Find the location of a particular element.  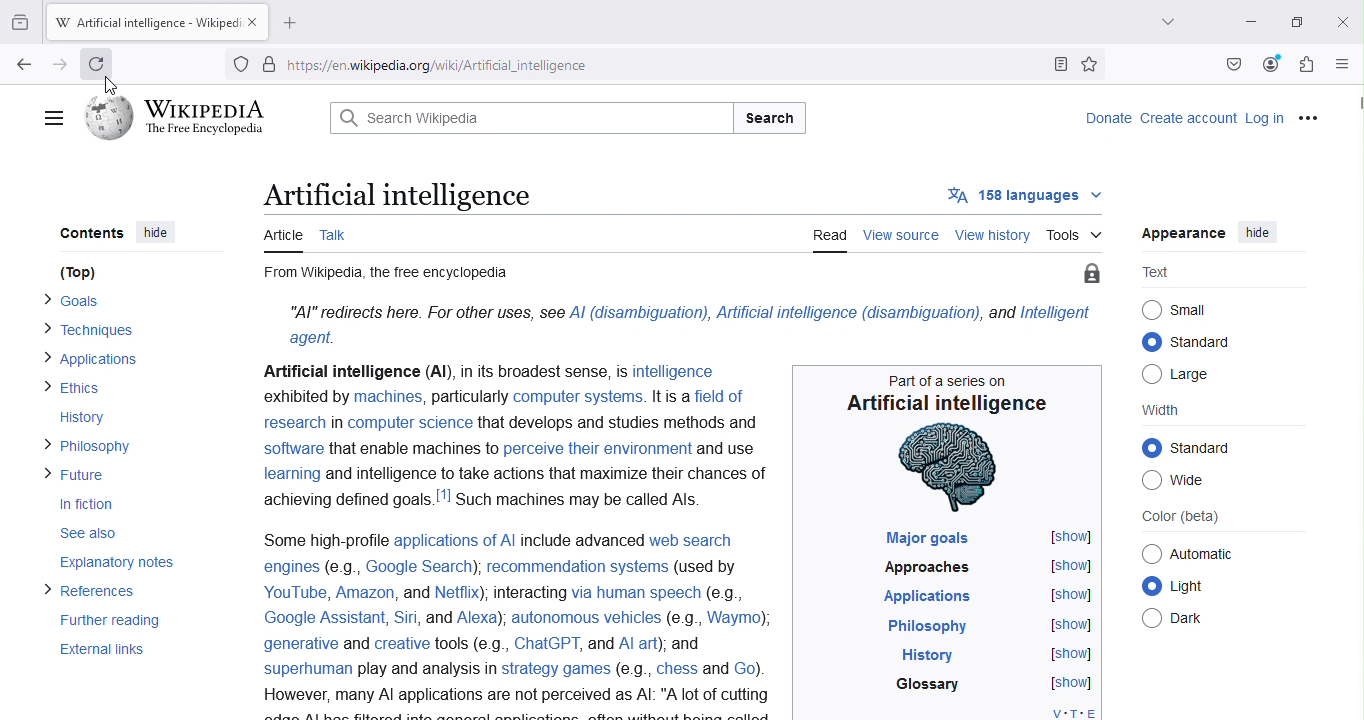

Log in is located at coordinates (1265, 119).